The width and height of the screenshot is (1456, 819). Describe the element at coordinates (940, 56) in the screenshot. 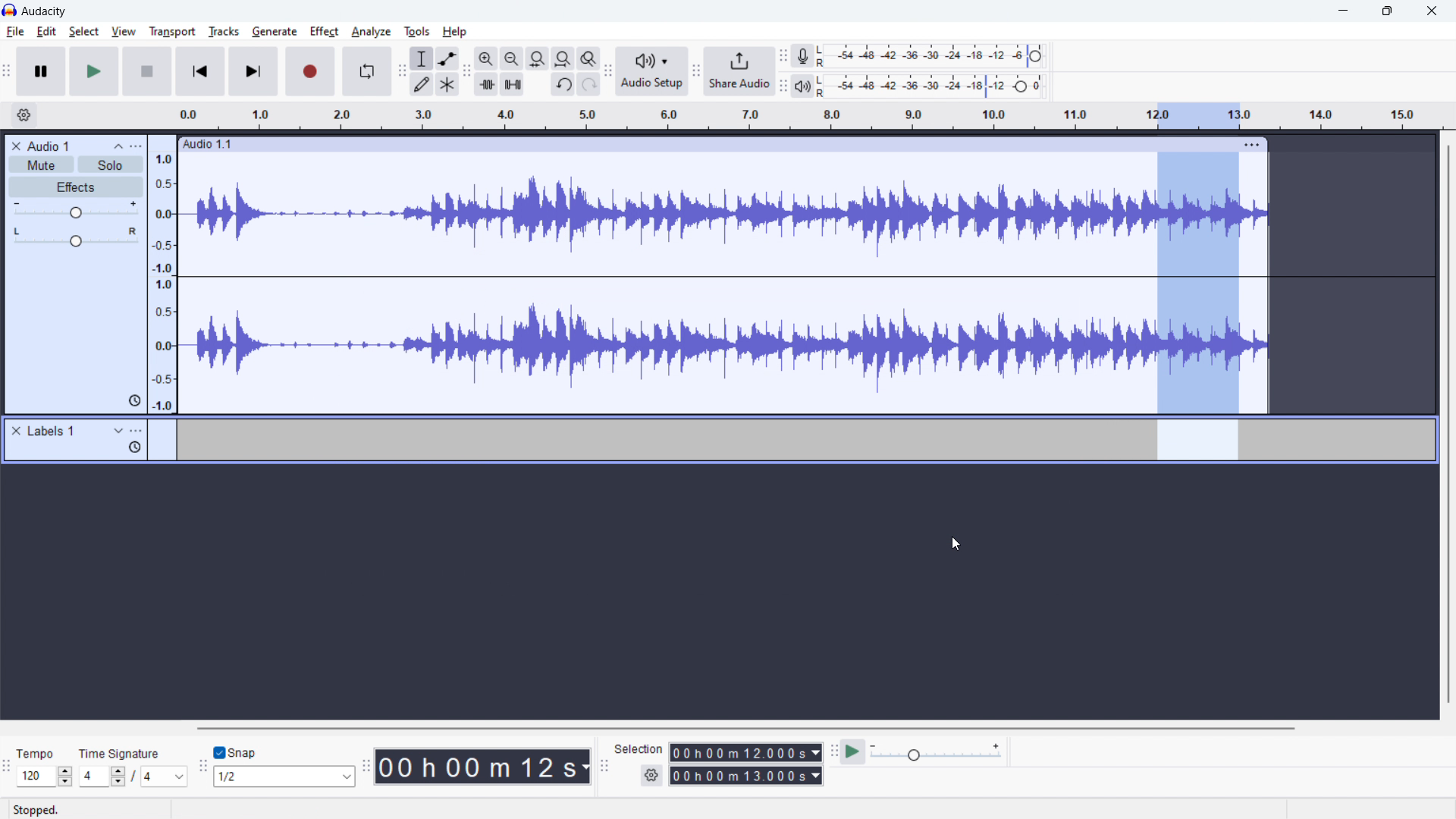

I see `recording level` at that location.